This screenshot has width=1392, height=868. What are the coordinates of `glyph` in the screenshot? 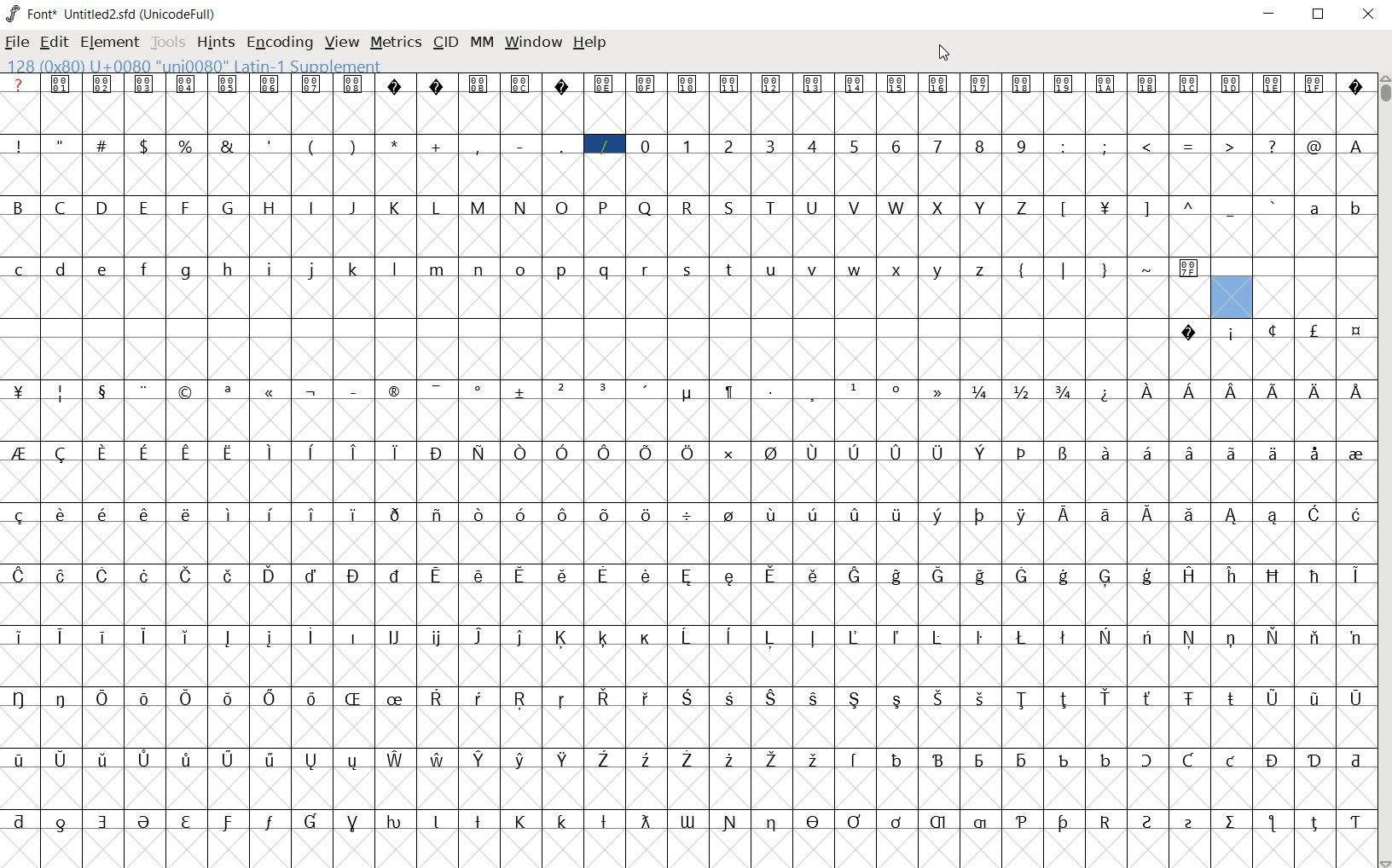 It's located at (521, 392).